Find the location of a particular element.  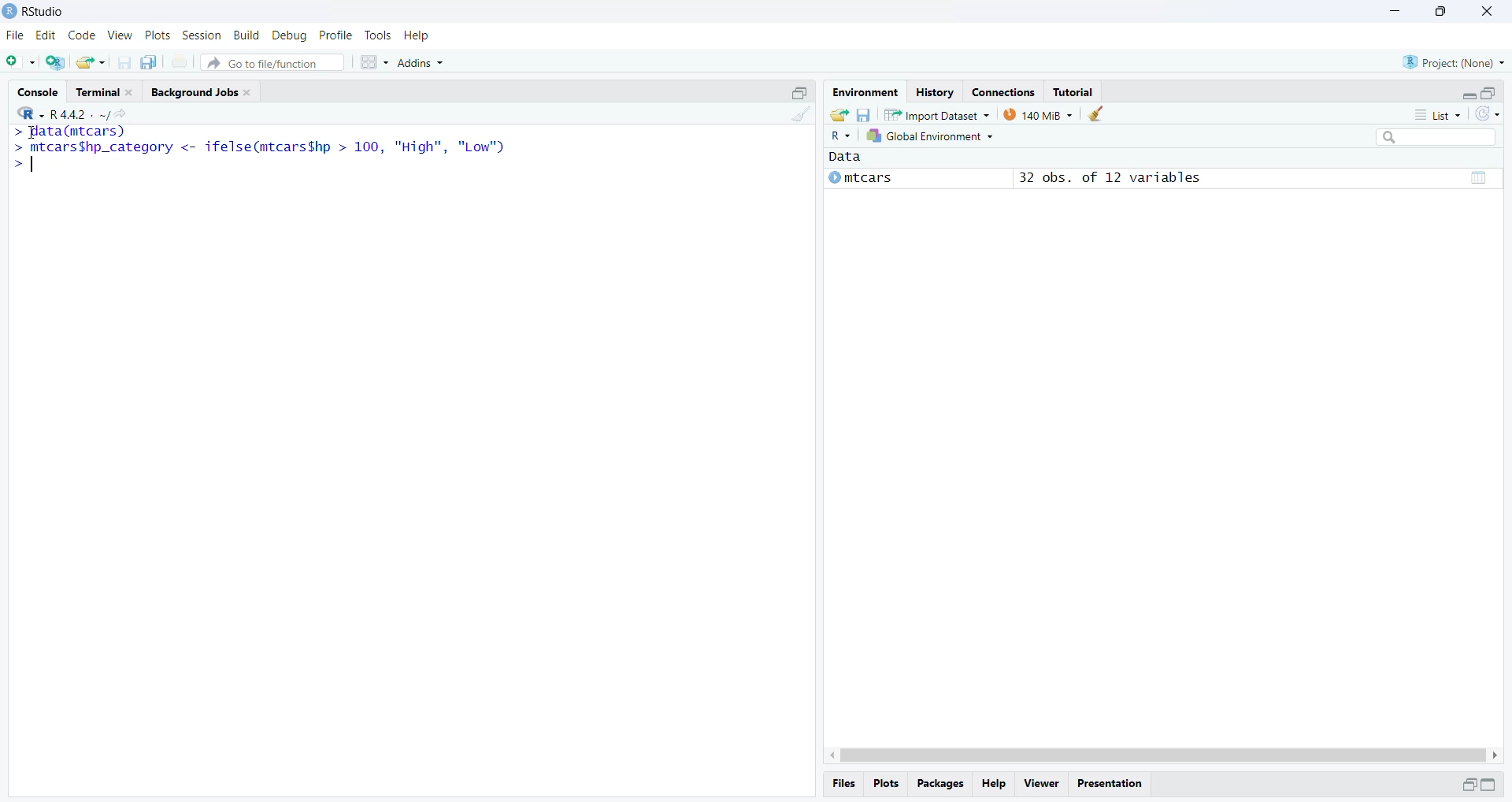

Open an existing file (Ctrl + O) is located at coordinates (92, 62).